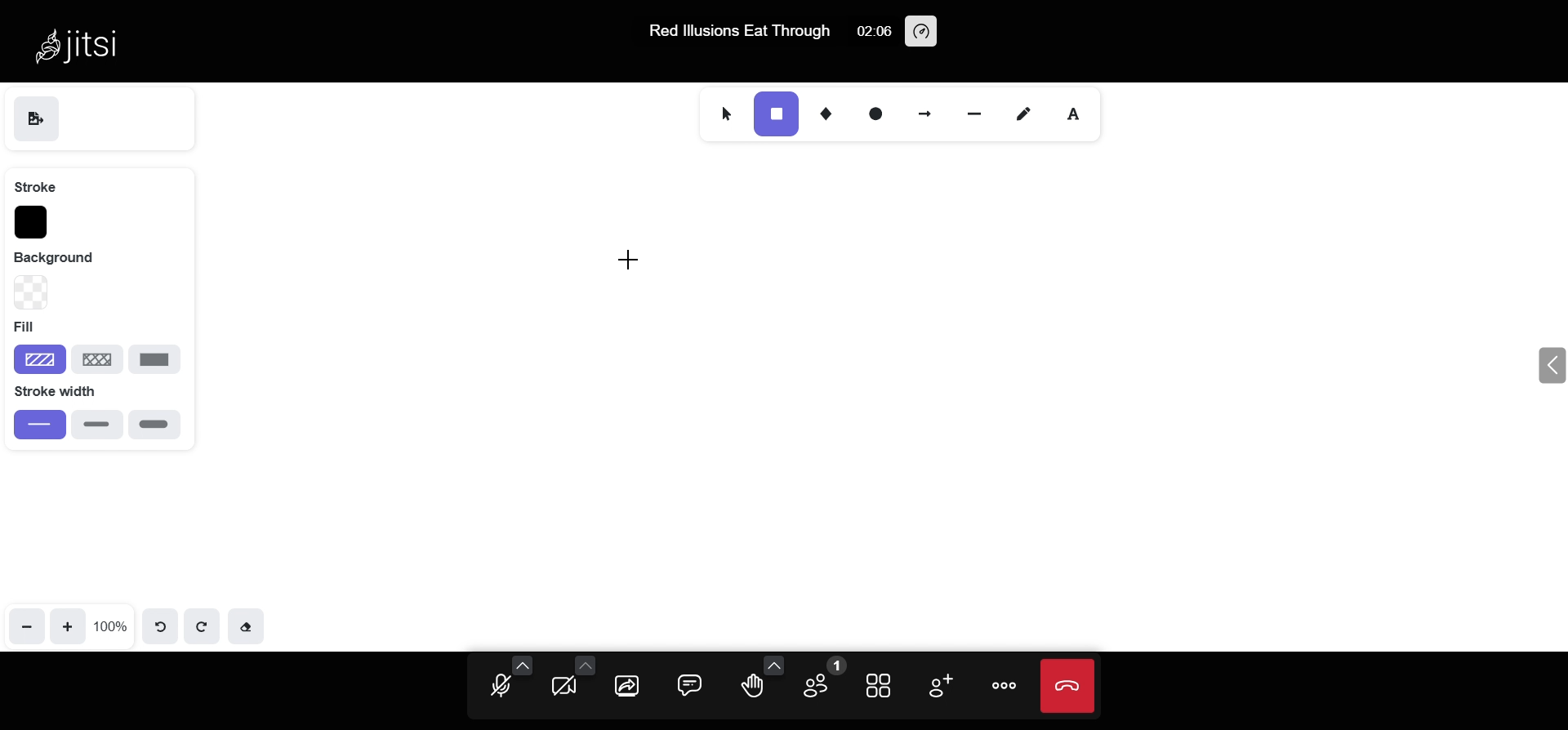 Image resolution: width=1568 pixels, height=730 pixels. I want to click on cursor, so click(642, 258).